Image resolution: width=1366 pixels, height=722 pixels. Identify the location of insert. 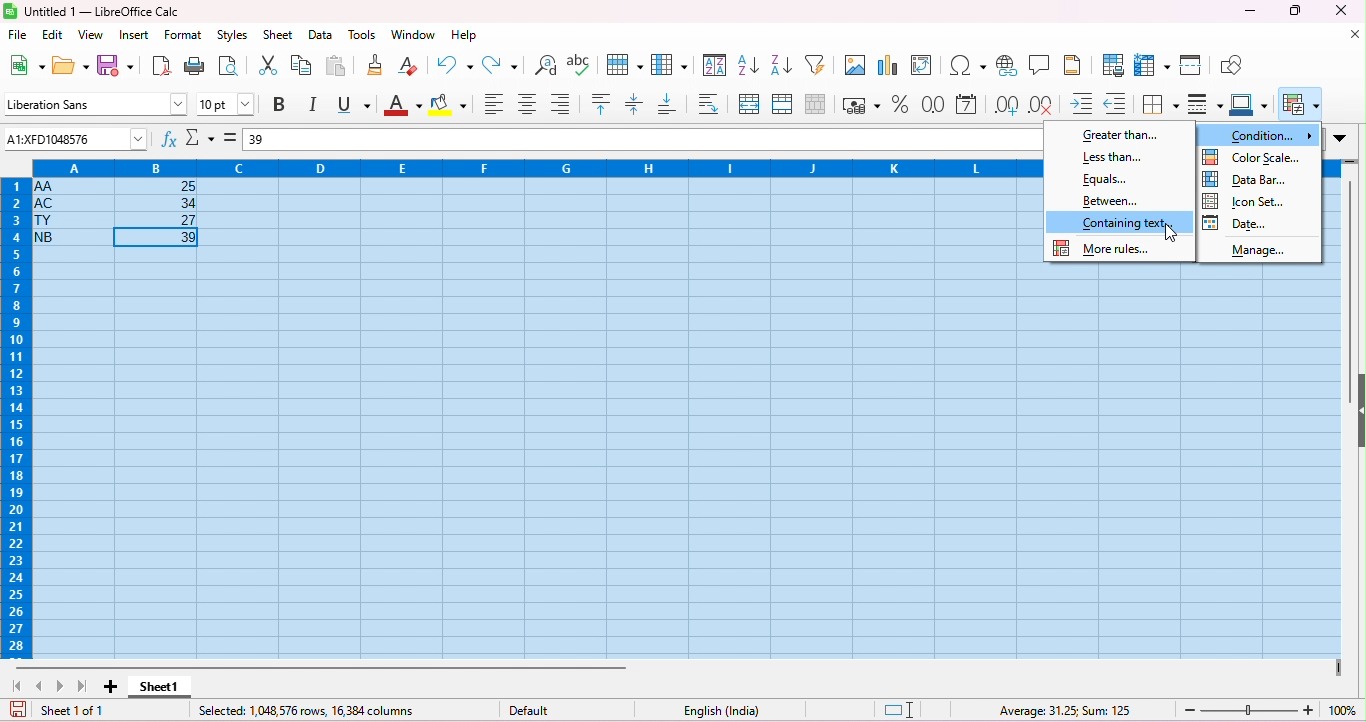
(133, 35).